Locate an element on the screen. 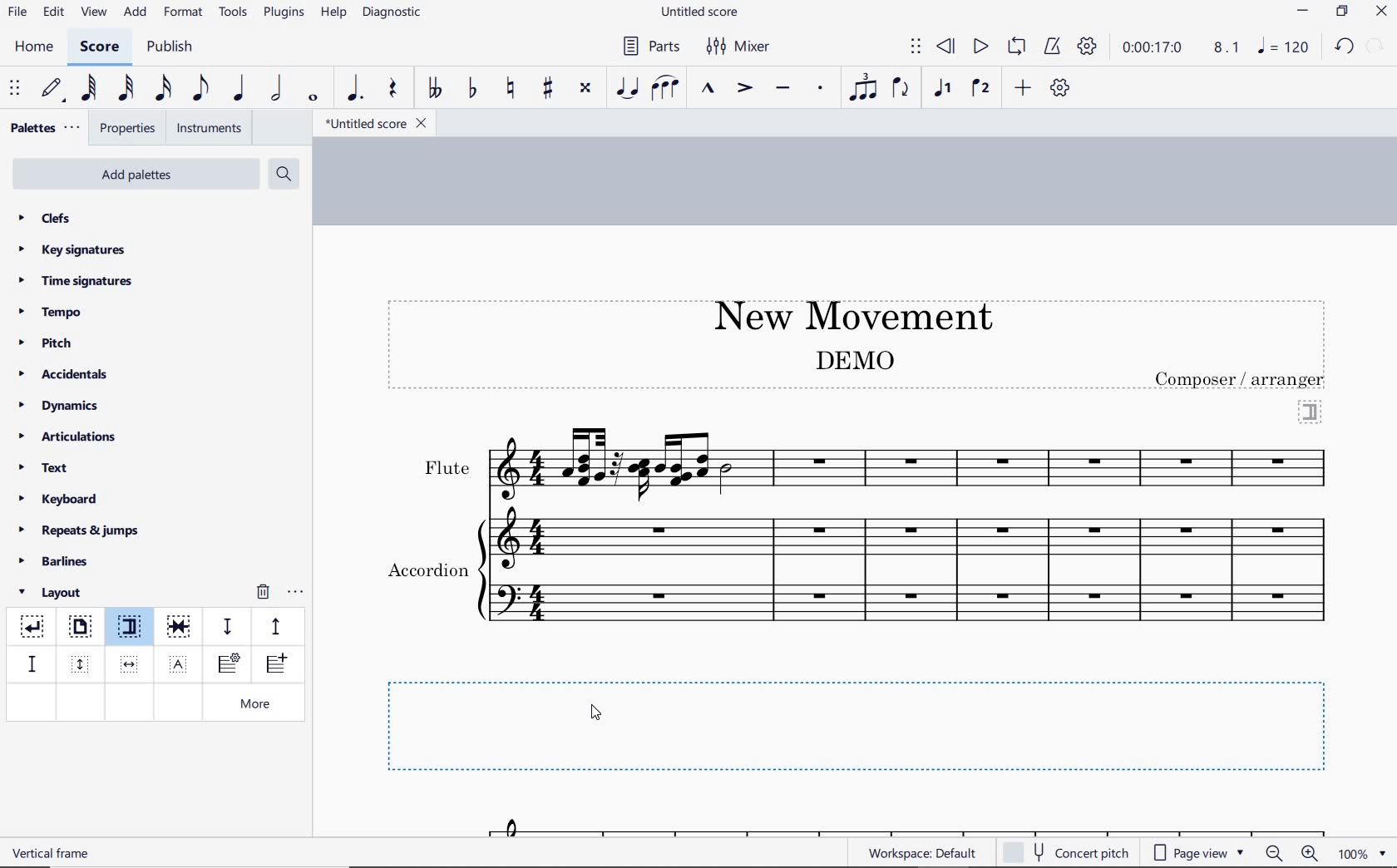 The width and height of the screenshot is (1397, 868). tools is located at coordinates (234, 12).